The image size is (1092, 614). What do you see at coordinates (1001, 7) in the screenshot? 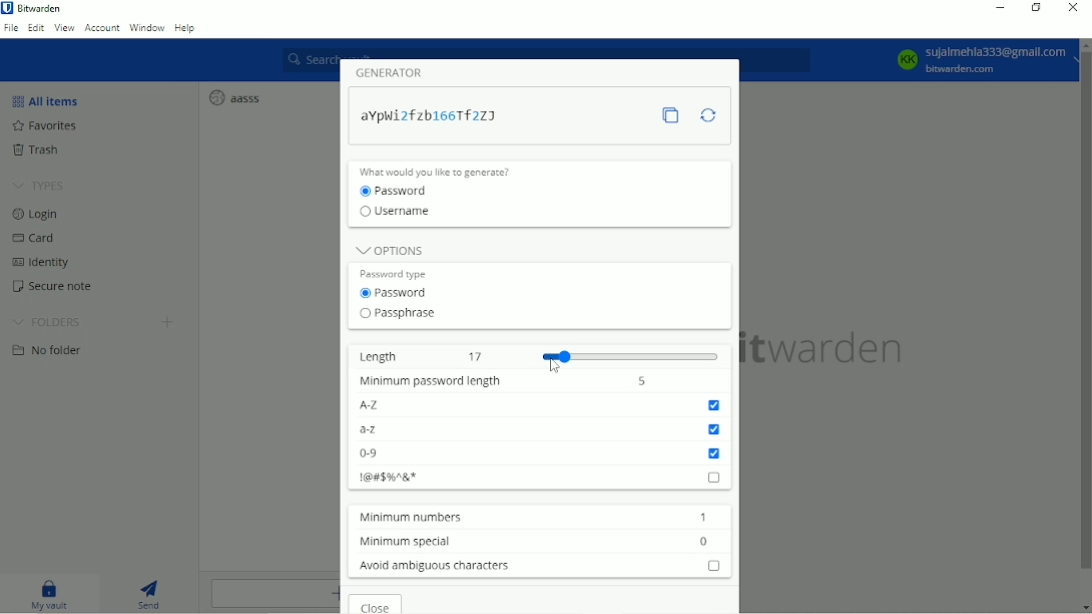
I see `Minimize` at bounding box center [1001, 7].